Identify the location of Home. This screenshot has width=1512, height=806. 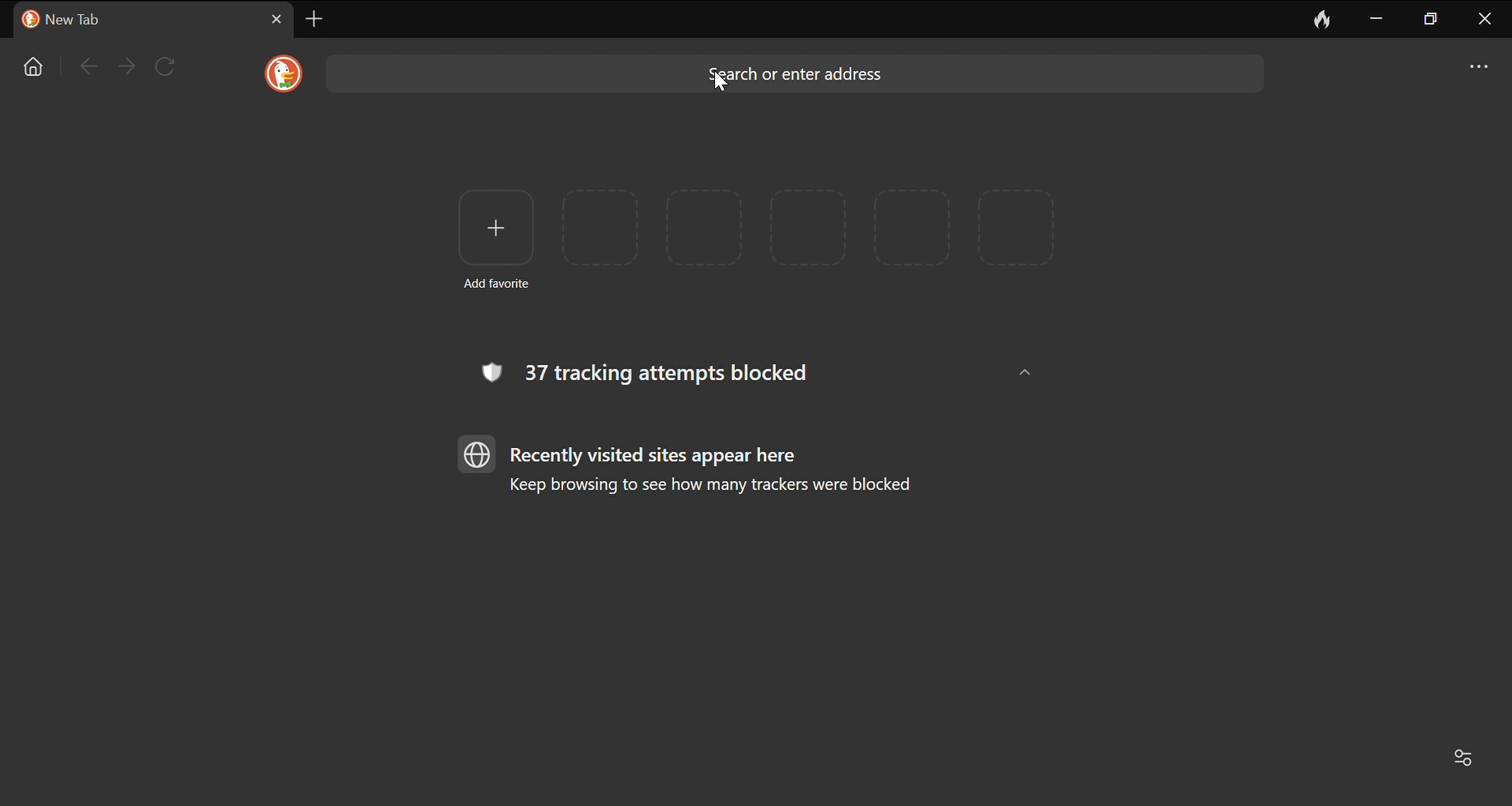
(35, 67).